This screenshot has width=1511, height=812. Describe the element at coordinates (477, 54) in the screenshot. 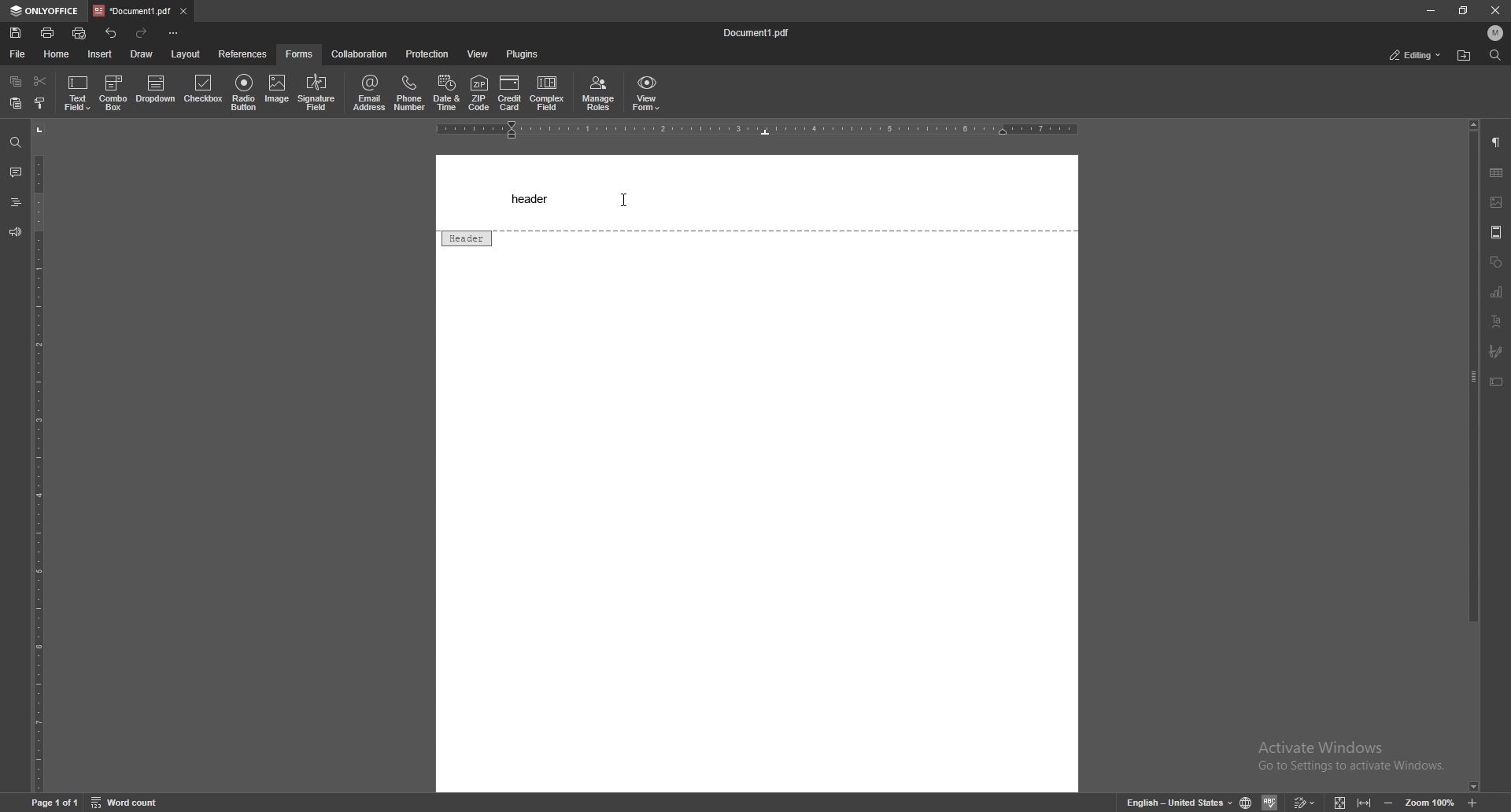

I see `view` at that location.